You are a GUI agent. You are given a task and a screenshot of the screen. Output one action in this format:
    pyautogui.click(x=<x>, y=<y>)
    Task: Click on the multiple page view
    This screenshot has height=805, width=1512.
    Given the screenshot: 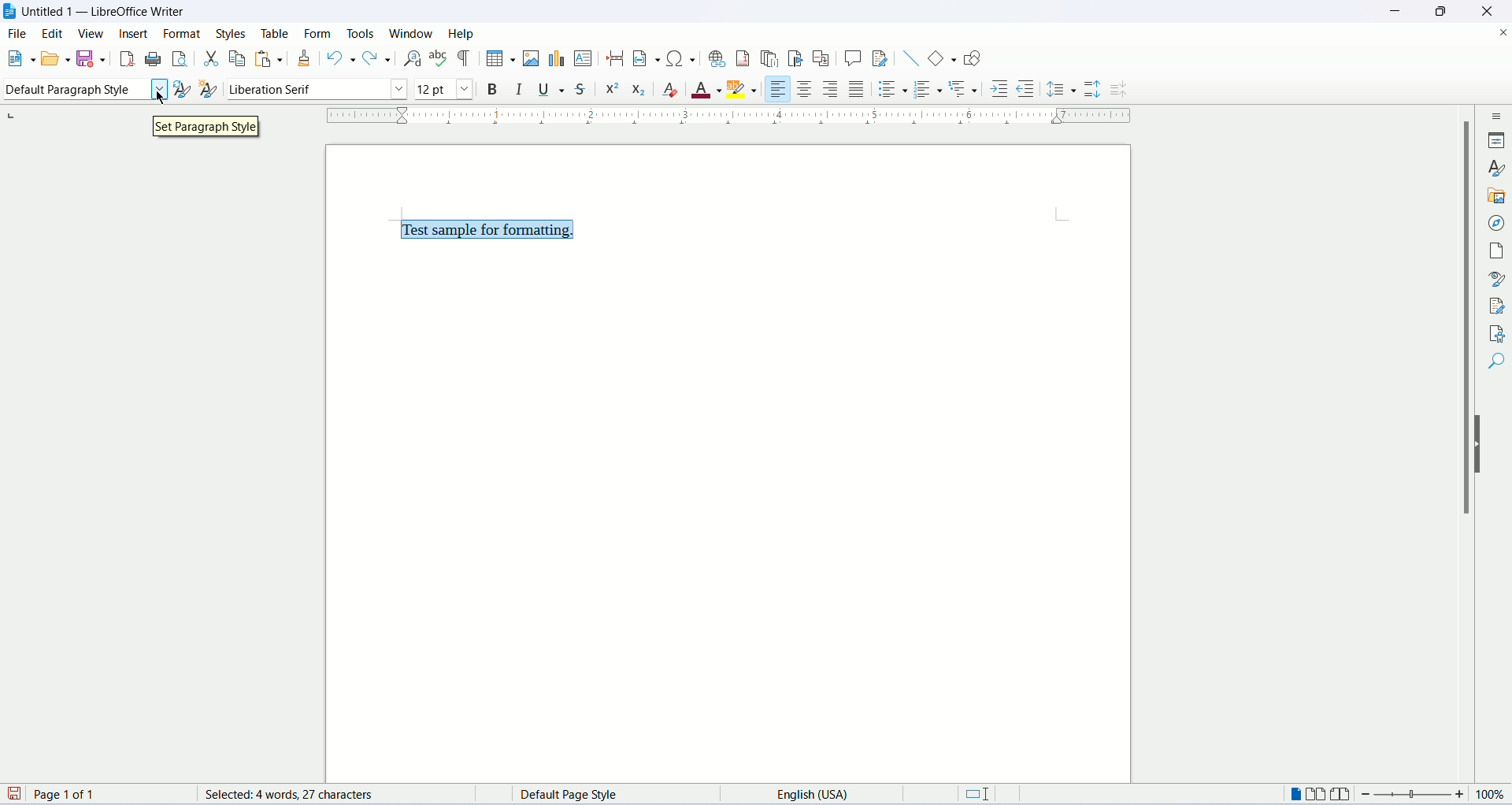 What is the action you would take?
    pyautogui.click(x=1321, y=796)
    